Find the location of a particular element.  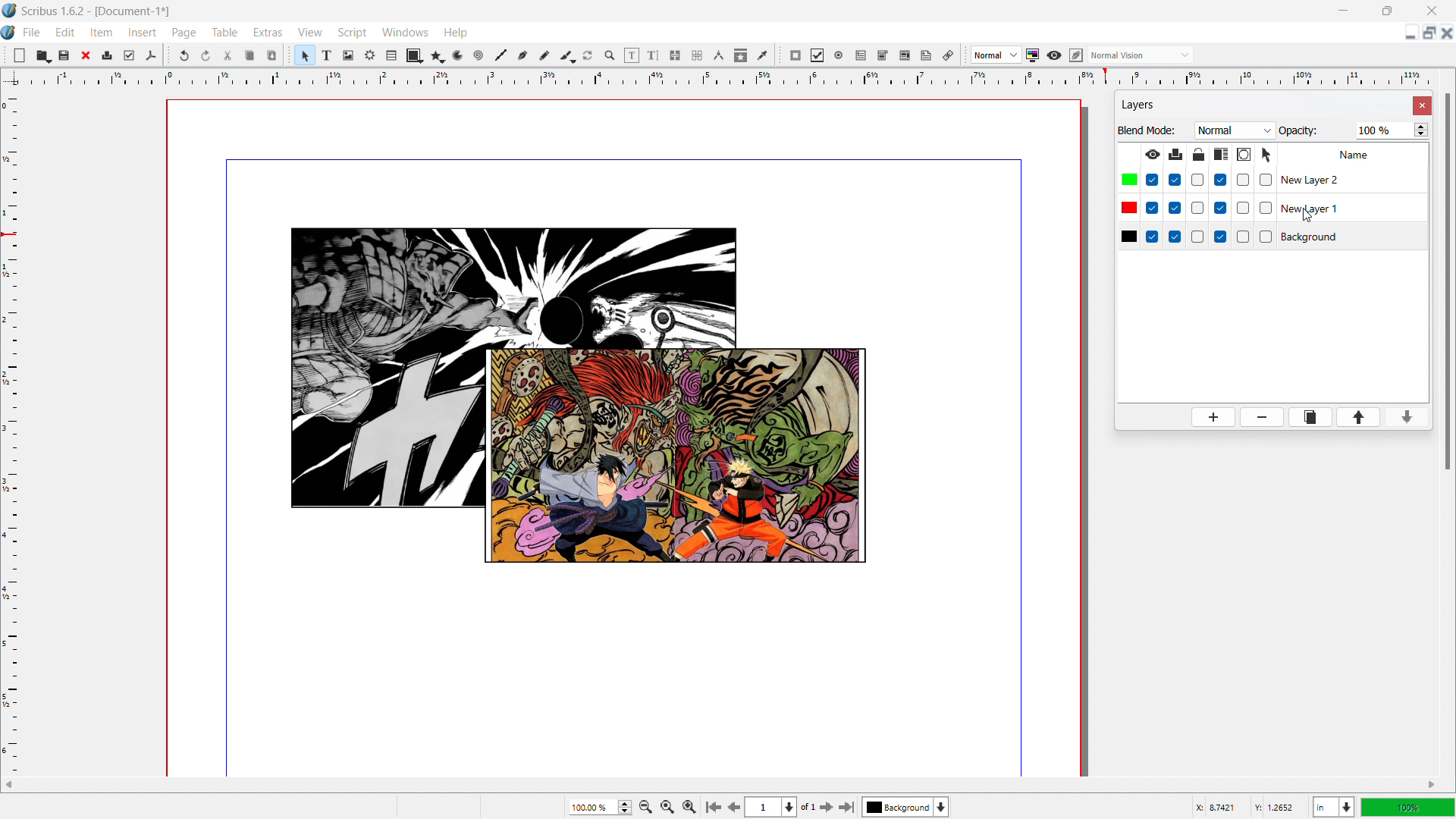

move layer up is located at coordinates (1357, 417).